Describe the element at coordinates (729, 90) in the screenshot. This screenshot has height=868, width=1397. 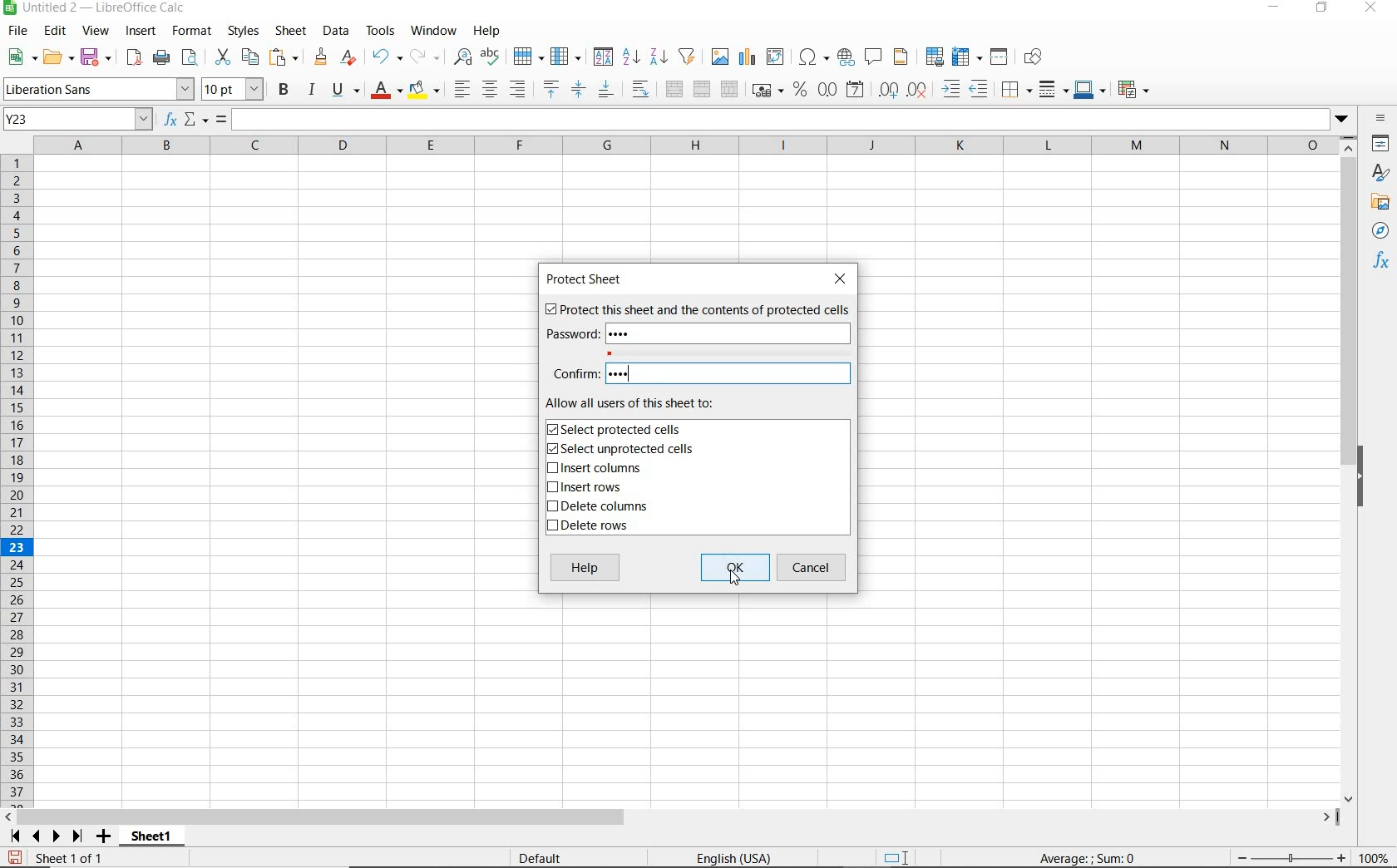
I see `UNMERGE CELLS` at that location.